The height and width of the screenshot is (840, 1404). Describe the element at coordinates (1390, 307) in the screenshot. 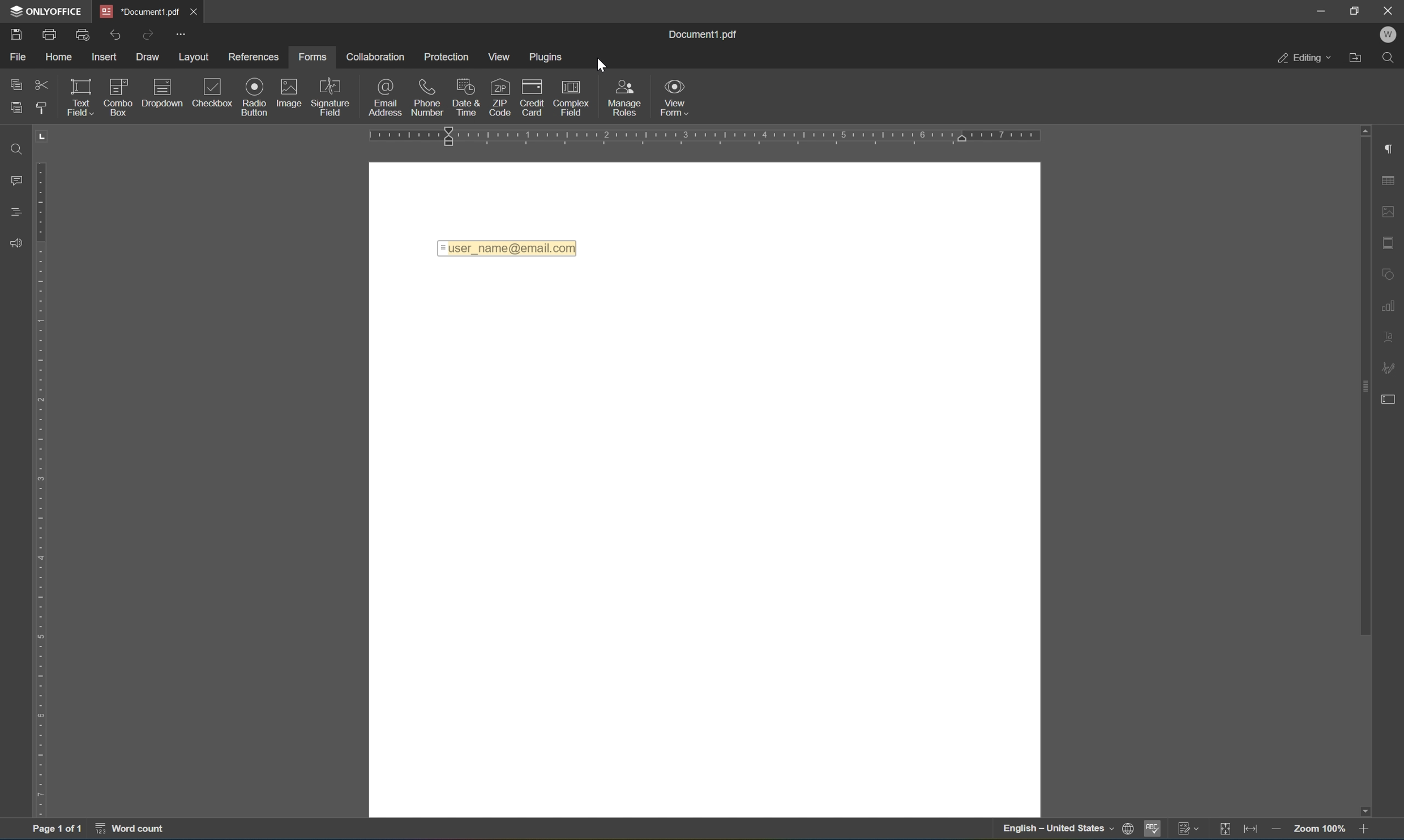

I see `chart settings` at that location.